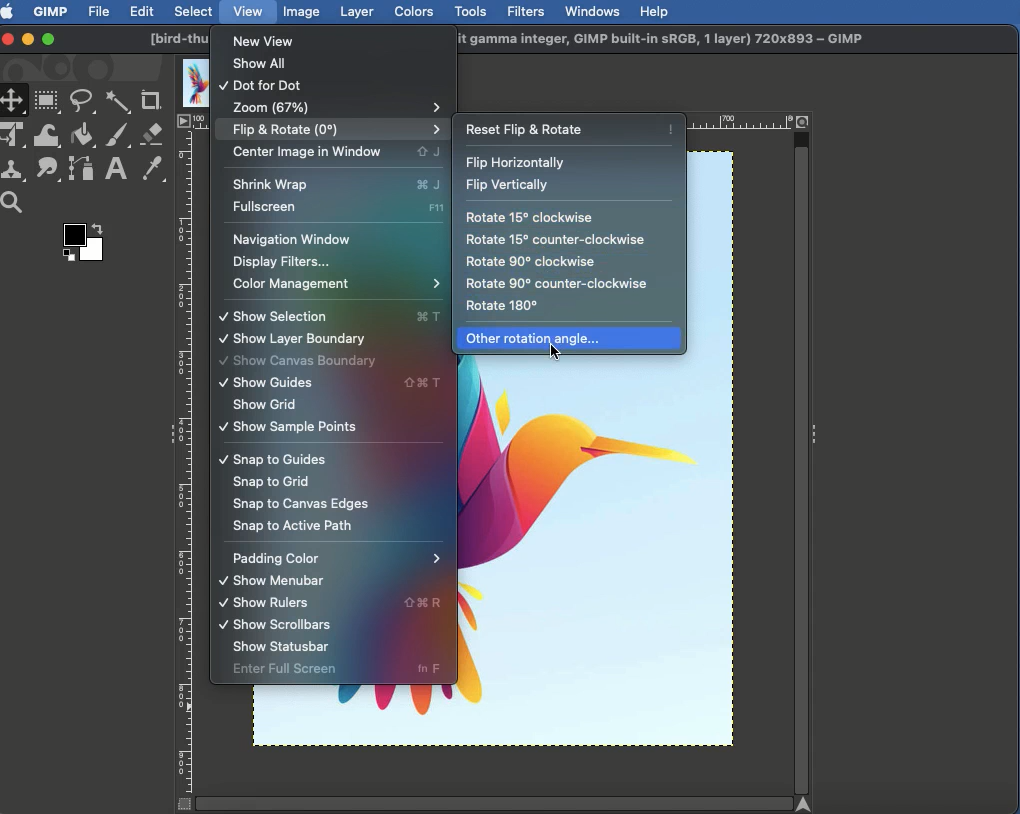  Describe the element at coordinates (433, 669) in the screenshot. I see `fn F` at that location.